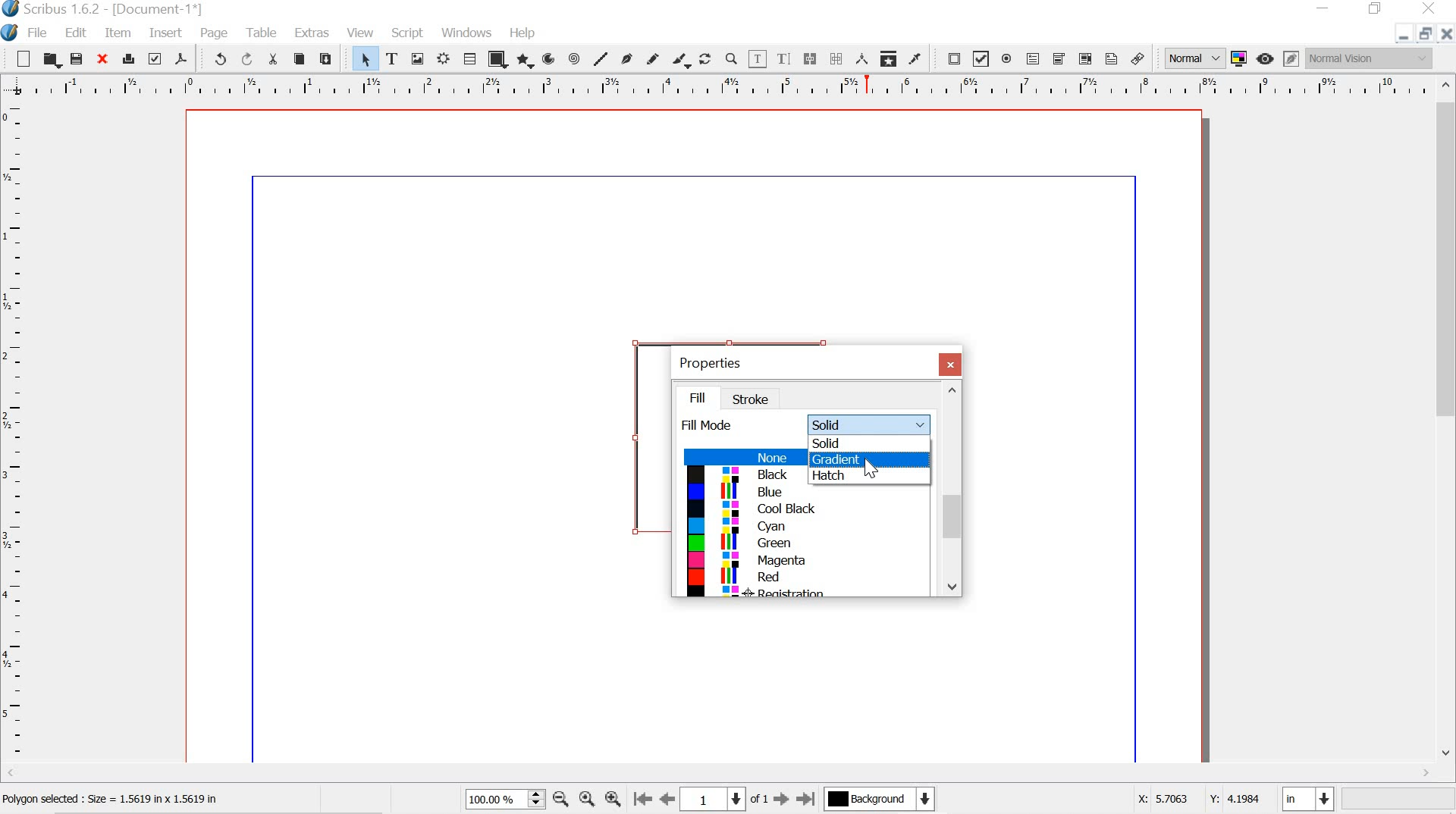 This screenshot has height=814, width=1456. Describe the element at coordinates (860, 59) in the screenshot. I see `measurements` at that location.